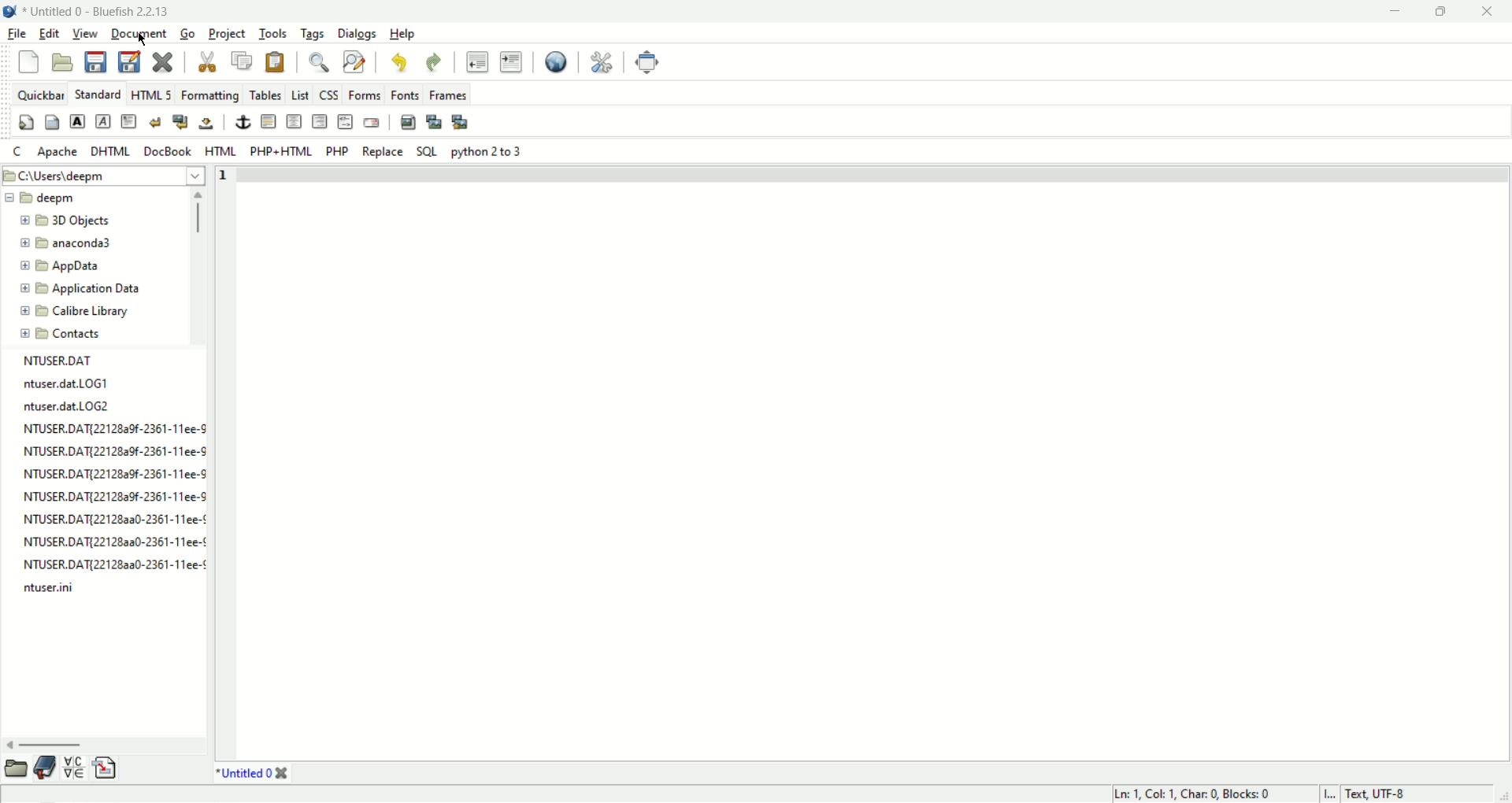 The width and height of the screenshot is (1512, 803). I want to click on view in browser, so click(556, 63).